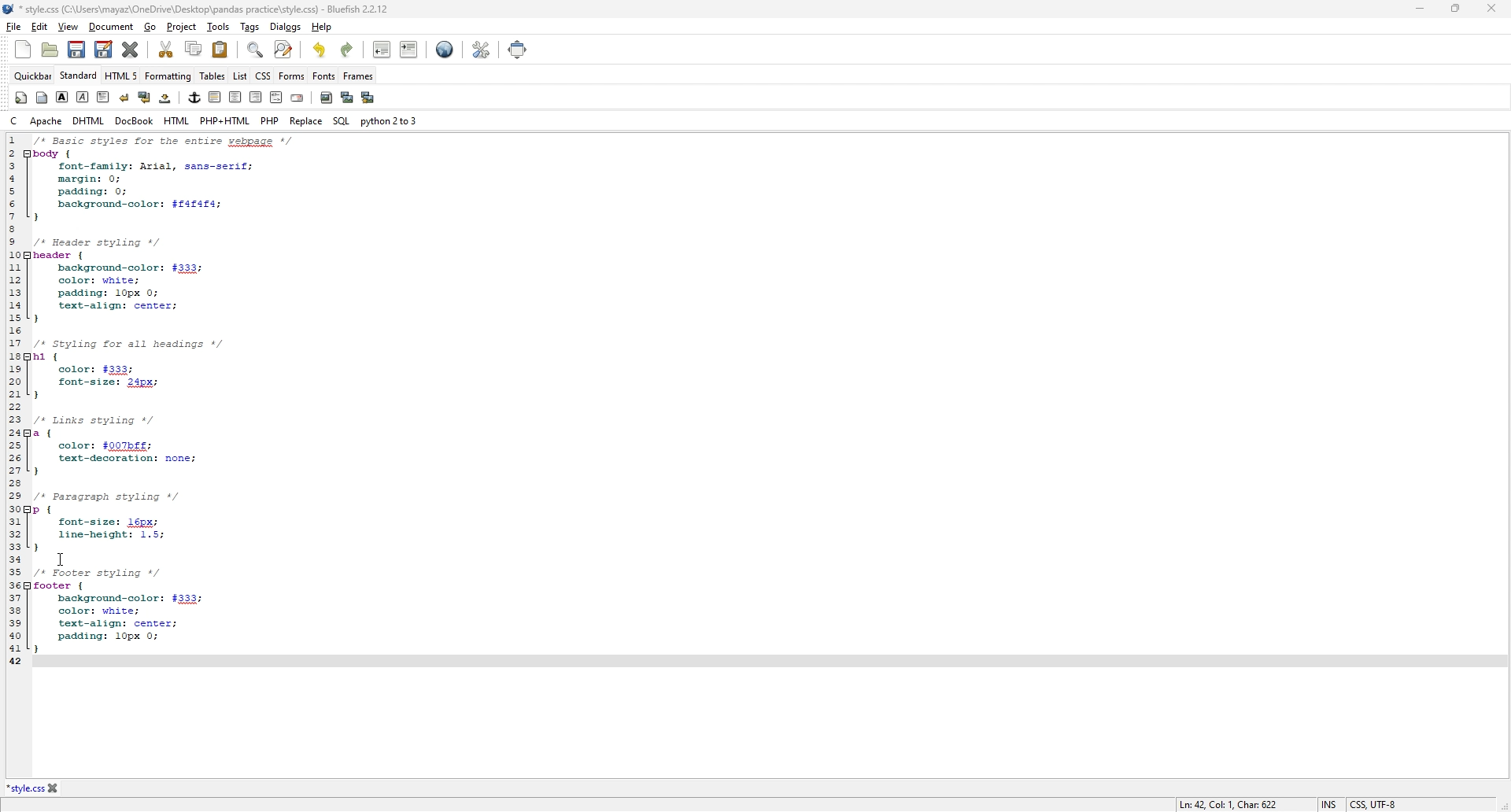 The width and height of the screenshot is (1511, 812). What do you see at coordinates (11, 400) in the screenshot?
I see `line number` at bounding box center [11, 400].